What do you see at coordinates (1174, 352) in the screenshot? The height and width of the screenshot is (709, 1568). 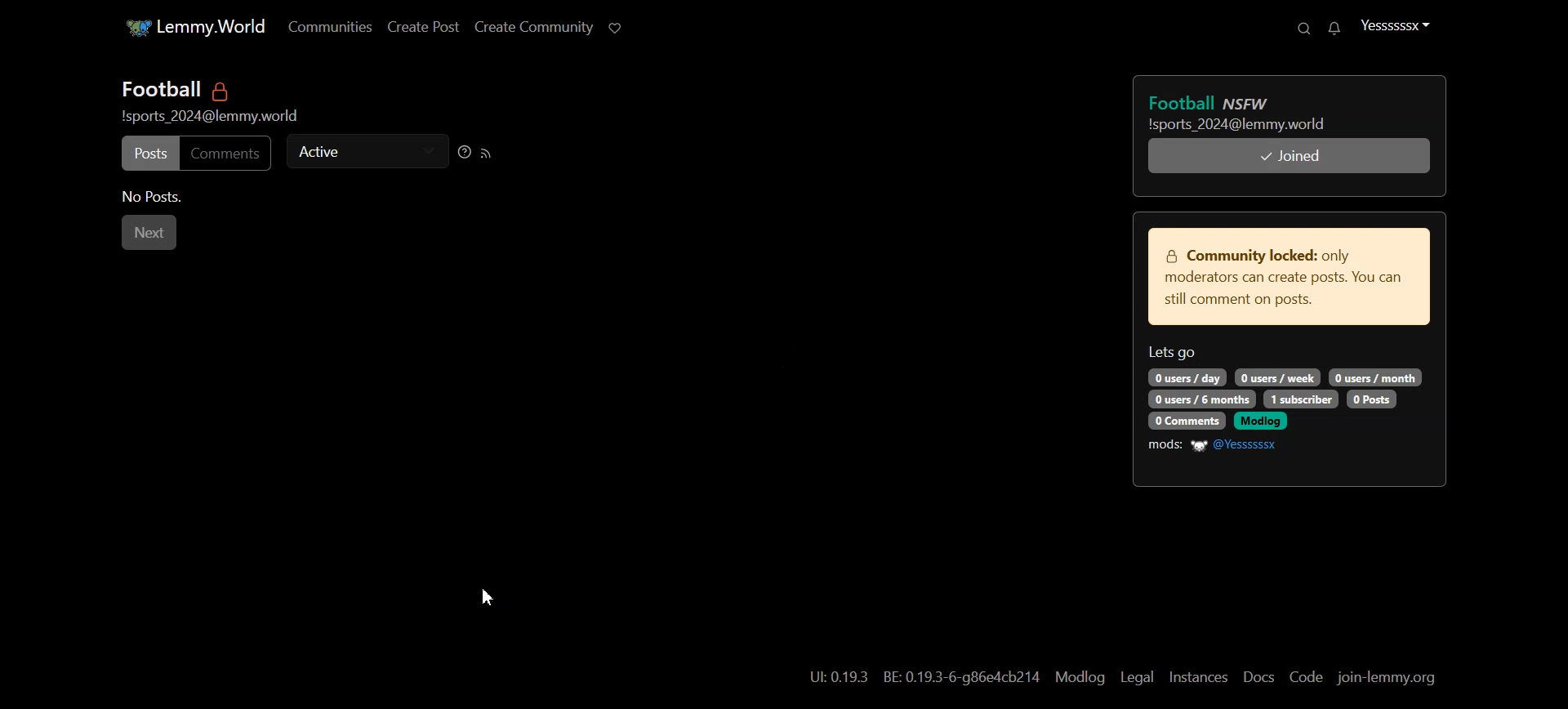 I see `lets go` at bounding box center [1174, 352].